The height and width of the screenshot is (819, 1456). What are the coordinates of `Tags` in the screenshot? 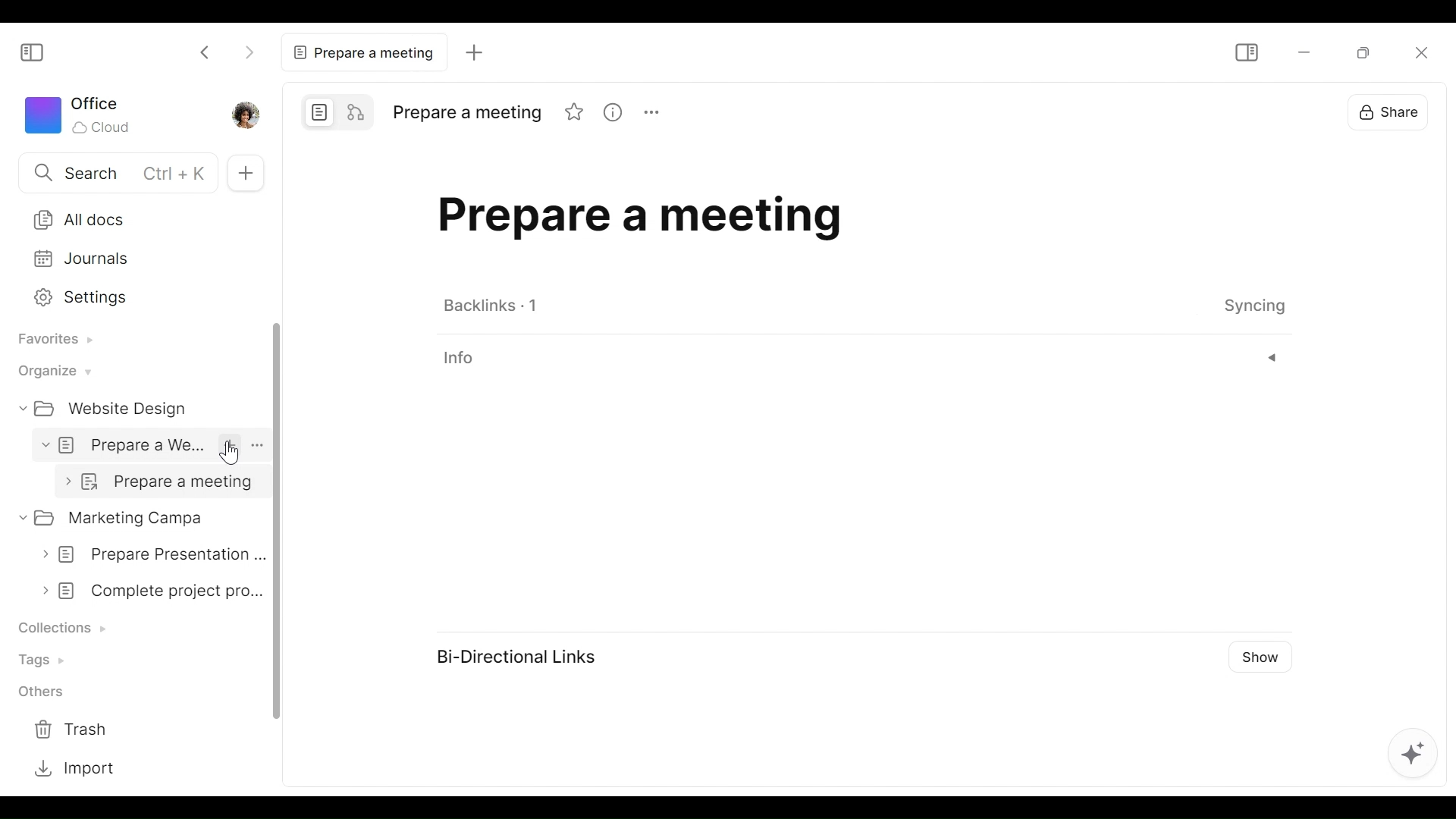 It's located at (48, 658).